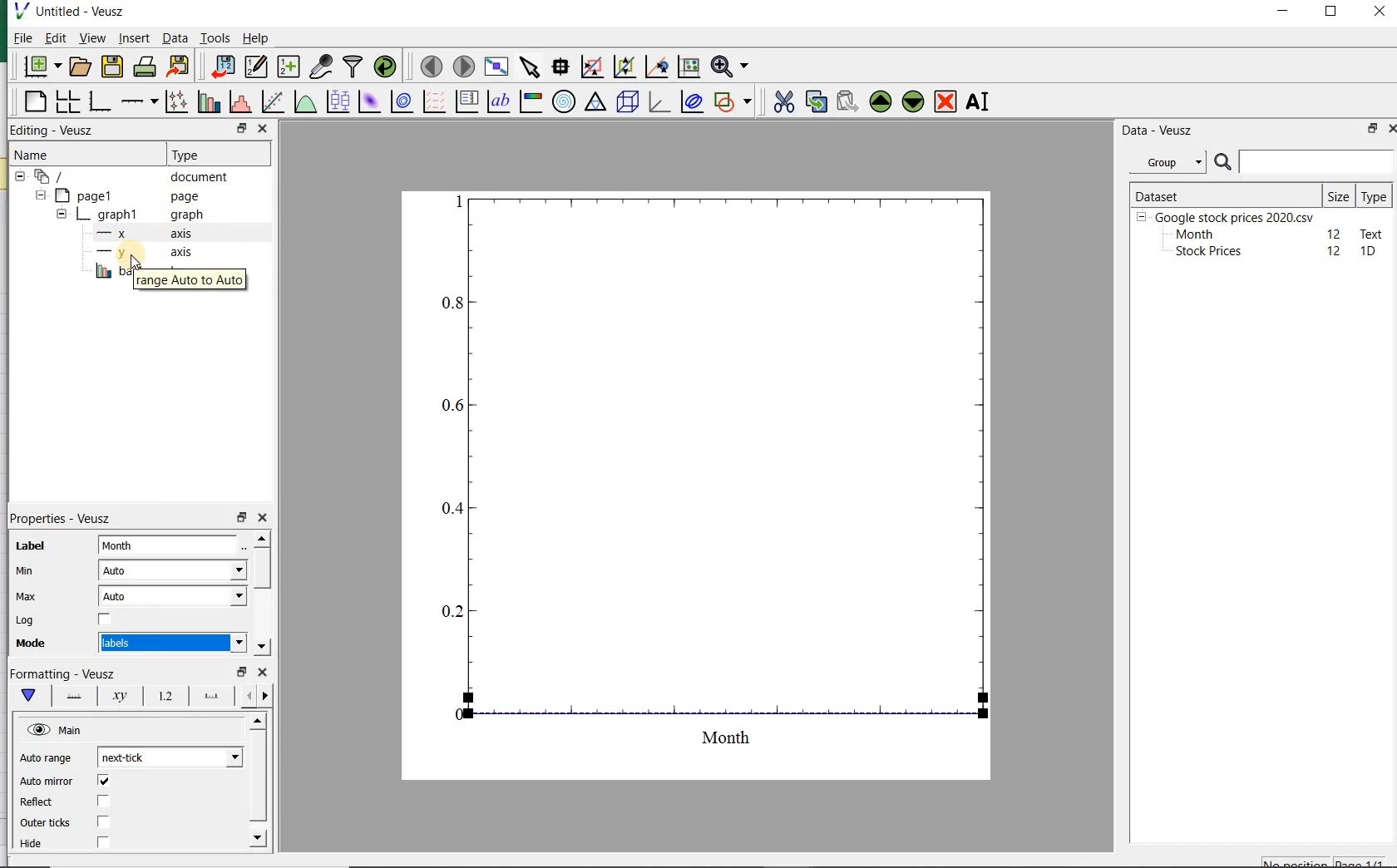 The width and height of the screenshot is (1397, 868). Describe the element at coordinates (27, 572) in the screenshot. I see `Min` at that location.